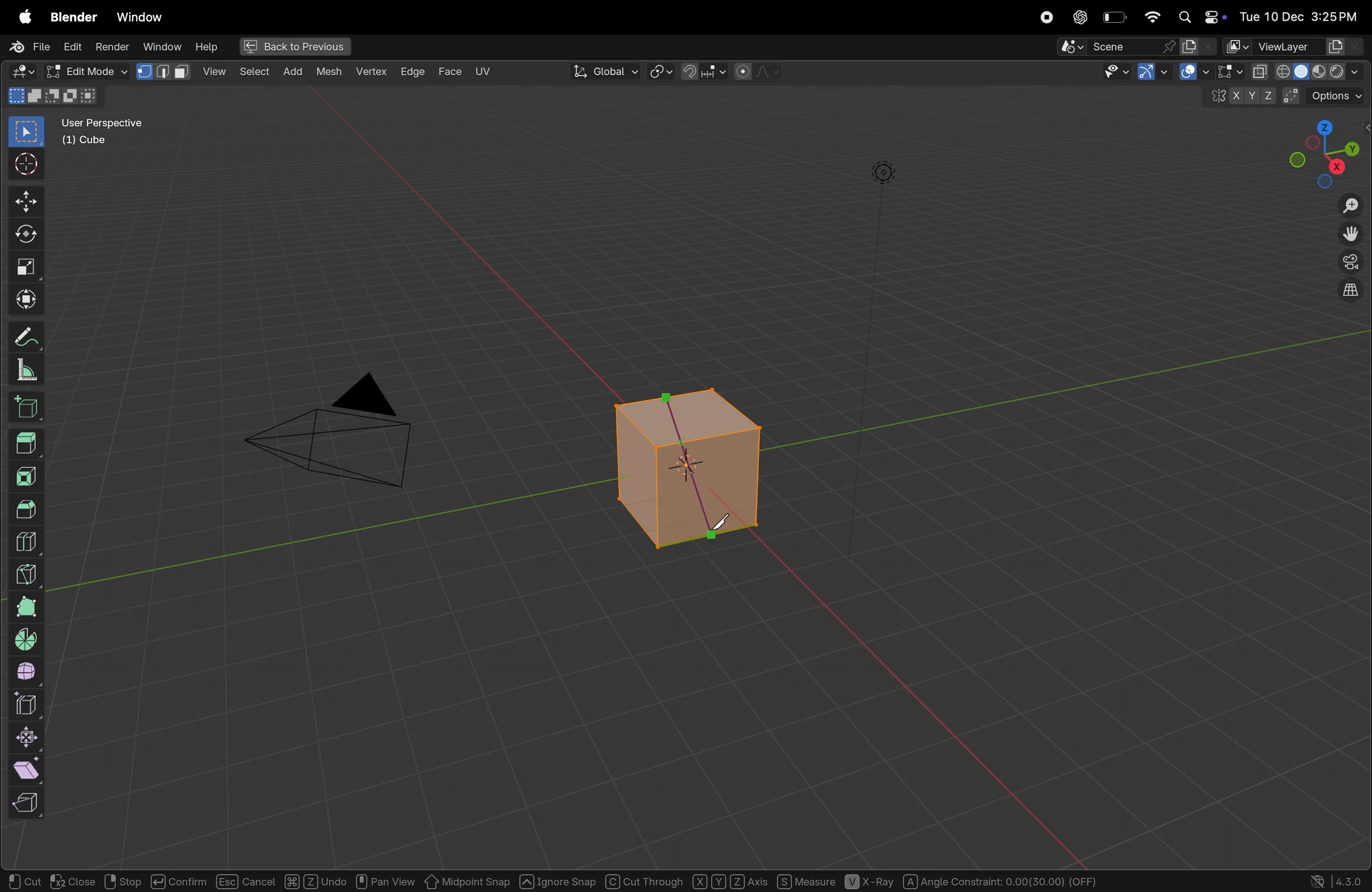  I want to click on 3d cube, so click(29, 410).